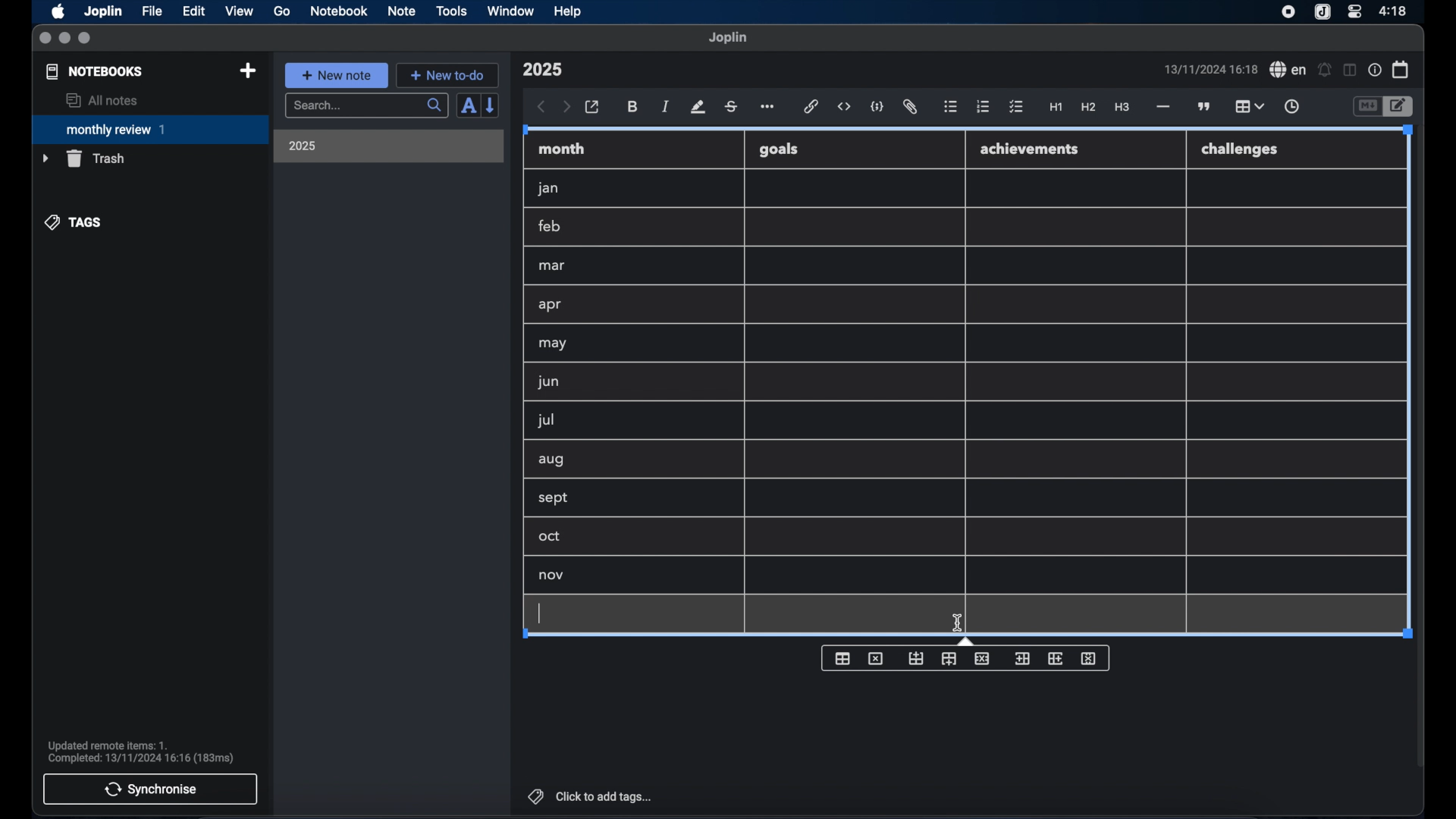 The width and height of the screenshot is (1456, 819). Describe the element at coordinates (634, 107) in the screenshot. I see `bold` at that location.